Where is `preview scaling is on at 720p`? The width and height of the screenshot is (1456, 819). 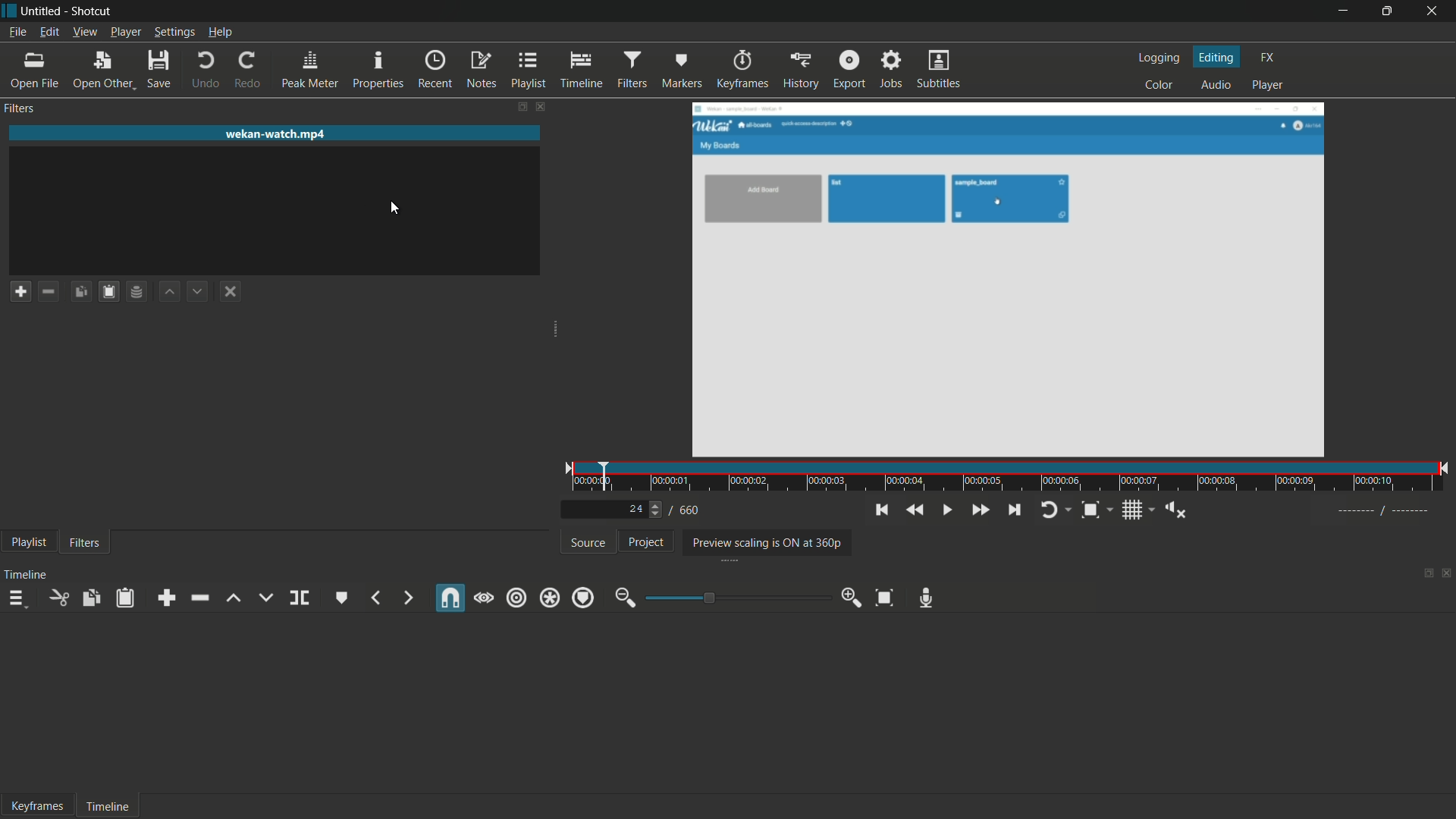 preview scaling is on at 720p is located at coordinates (764, 542).